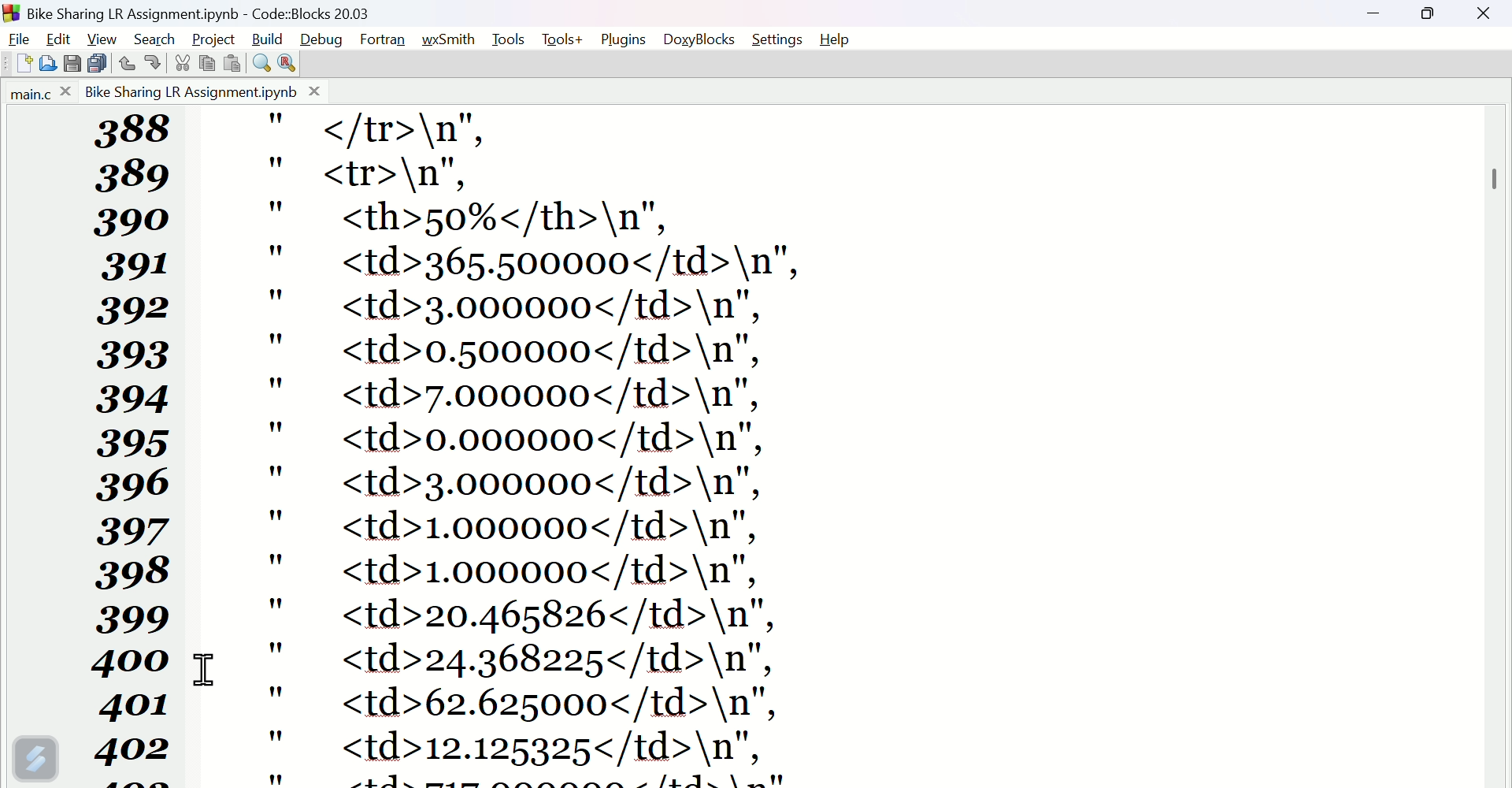  Describe the element at coordinates (135, 737) in the screenshot. I see `line numbers` at that location.